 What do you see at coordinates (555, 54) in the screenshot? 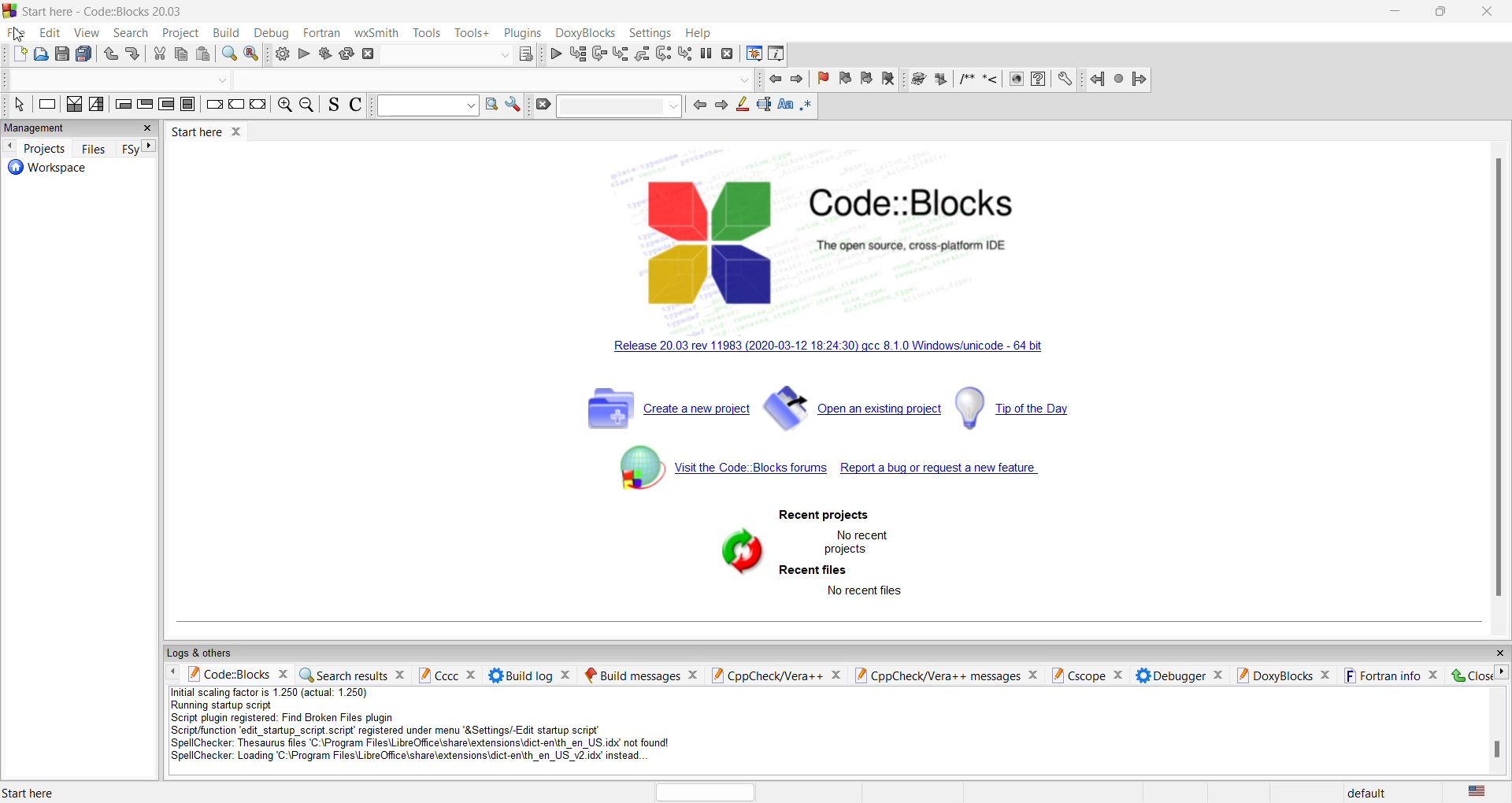
I see `debug` at bounding box center [555, 54].